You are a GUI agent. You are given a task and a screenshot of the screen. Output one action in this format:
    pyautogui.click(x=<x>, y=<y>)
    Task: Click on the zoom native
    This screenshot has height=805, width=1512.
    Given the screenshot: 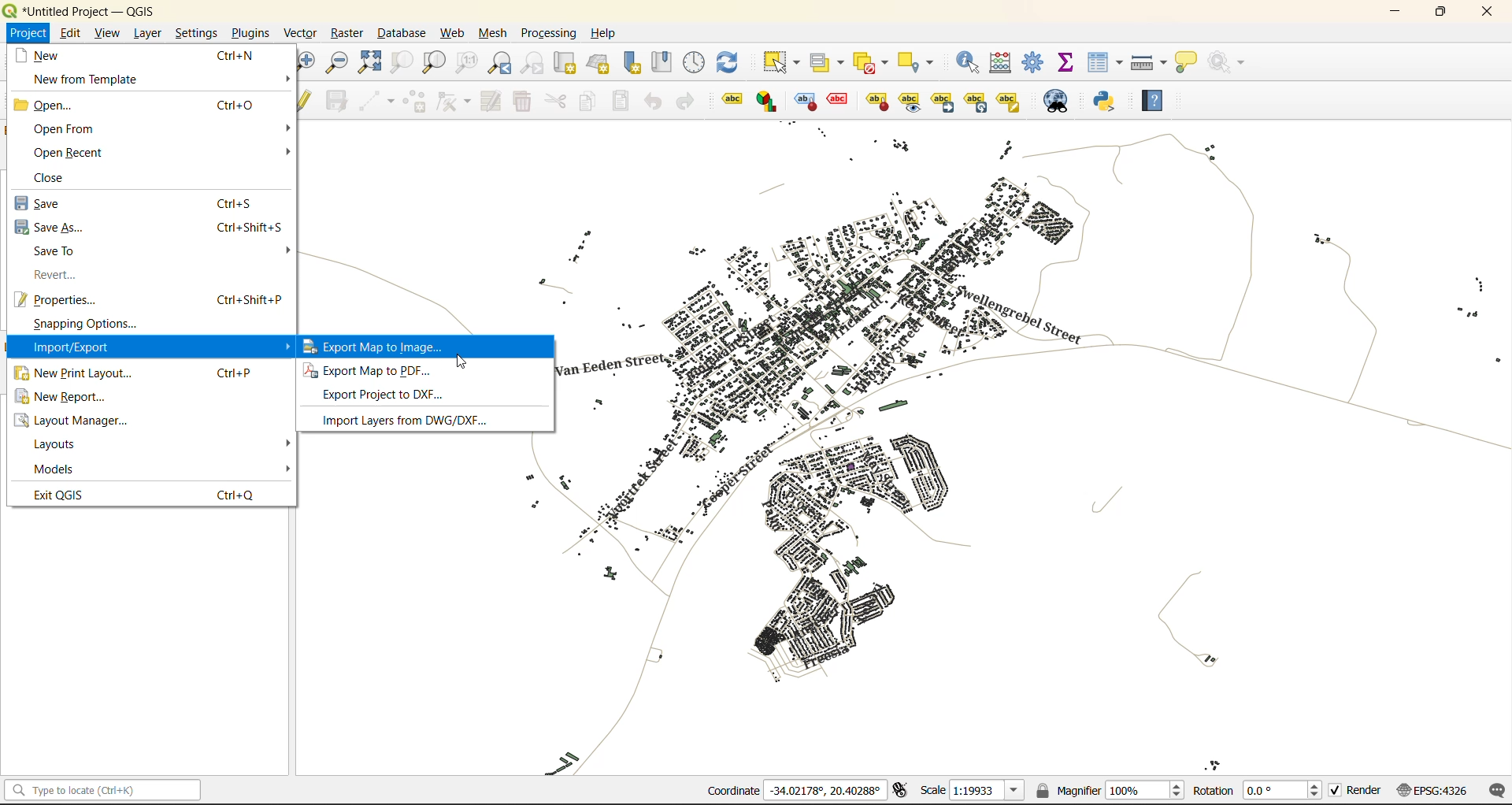 What is the action you would take?
    pyautogui.click(x=467, y=63)
    